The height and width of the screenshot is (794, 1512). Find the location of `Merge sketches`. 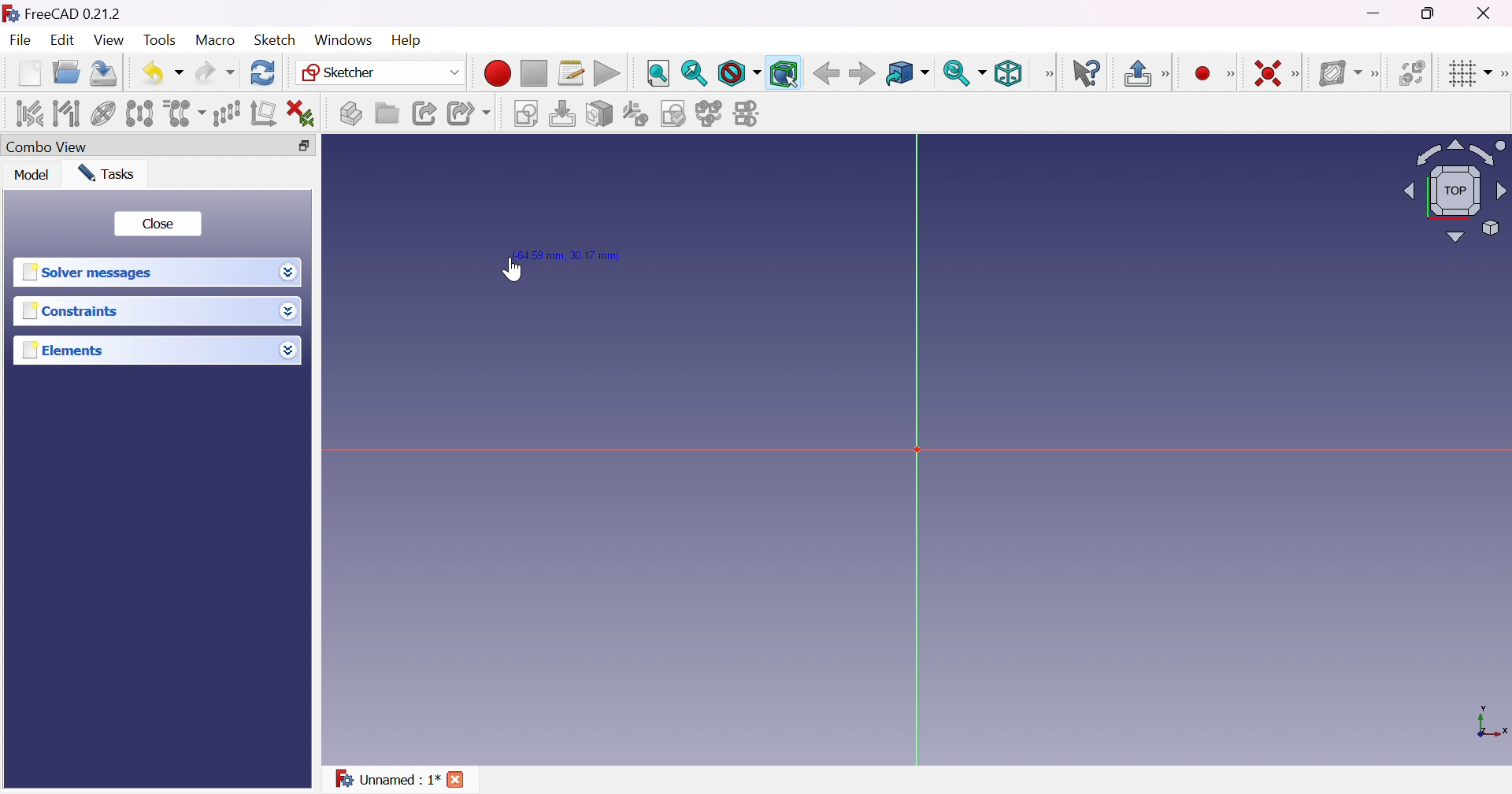

Merge sketches is located at coordinates (709, 114).